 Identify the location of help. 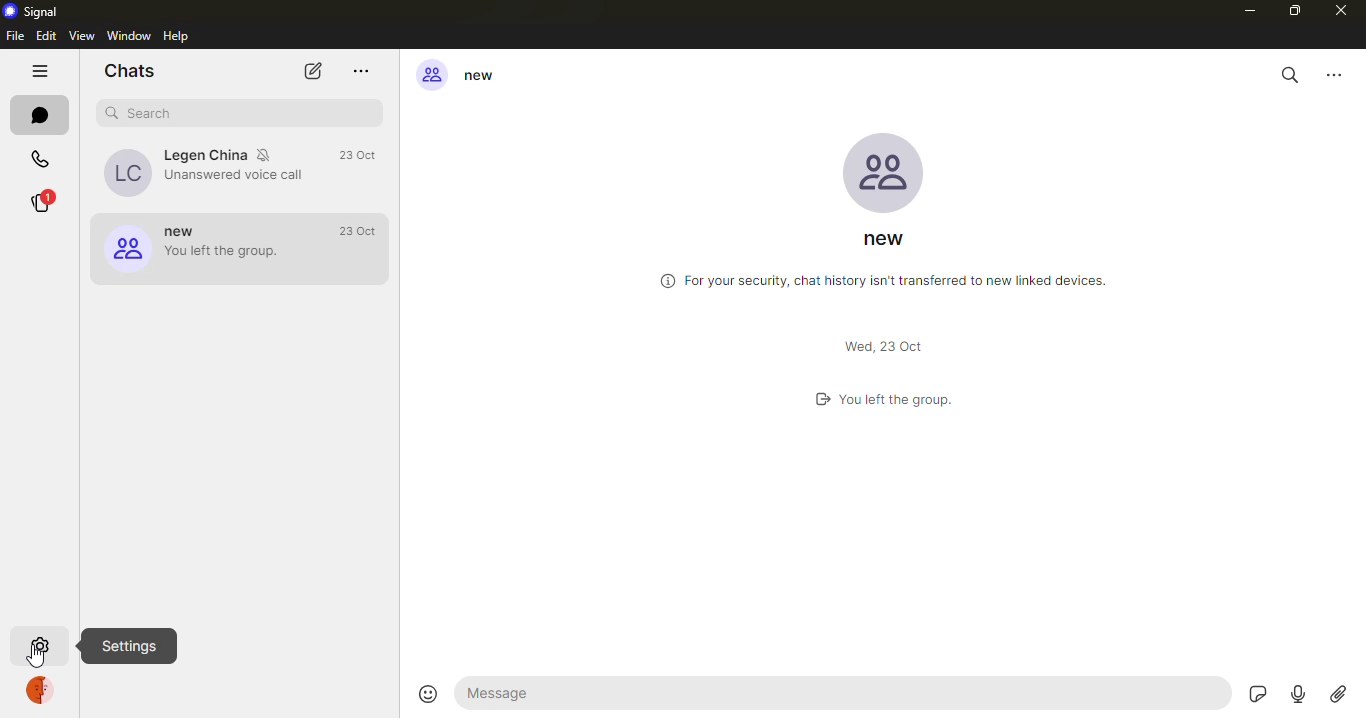
(176, 35).